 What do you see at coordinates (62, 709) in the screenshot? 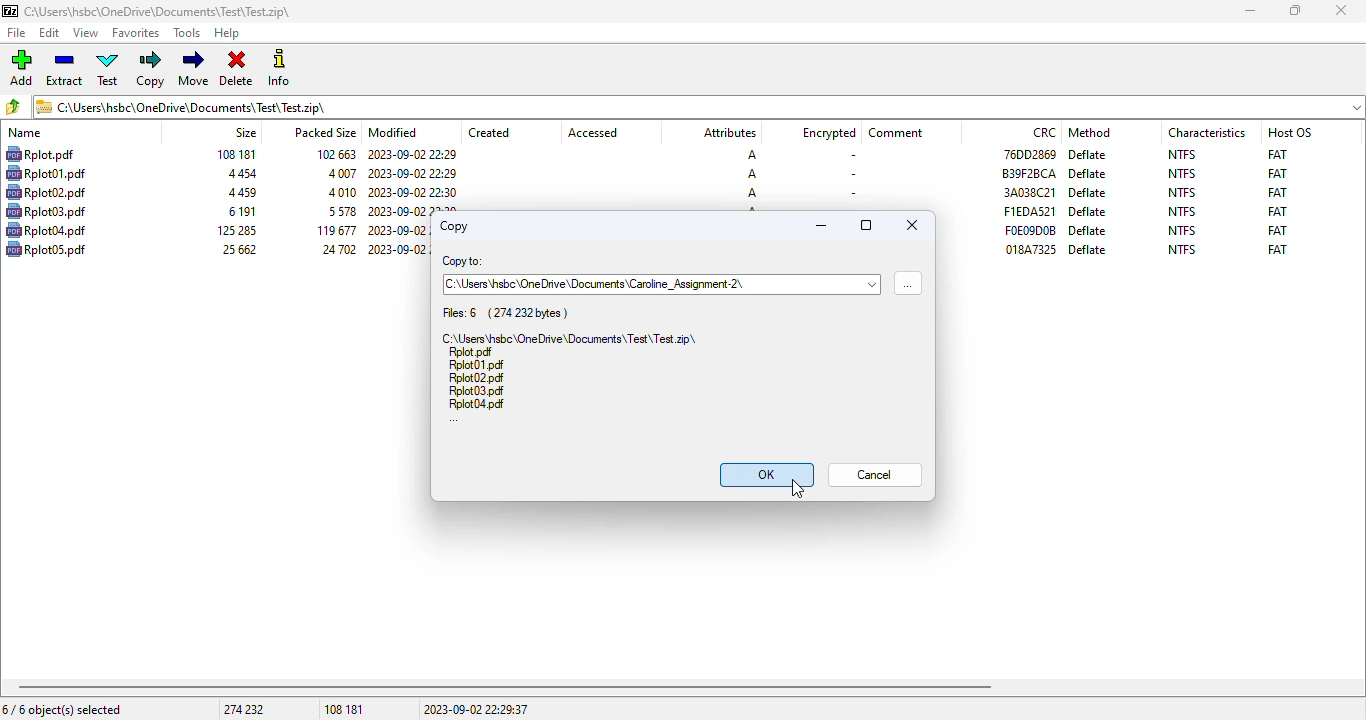
I see `6/6 object(s) selected` at bounding box center [62, 709].